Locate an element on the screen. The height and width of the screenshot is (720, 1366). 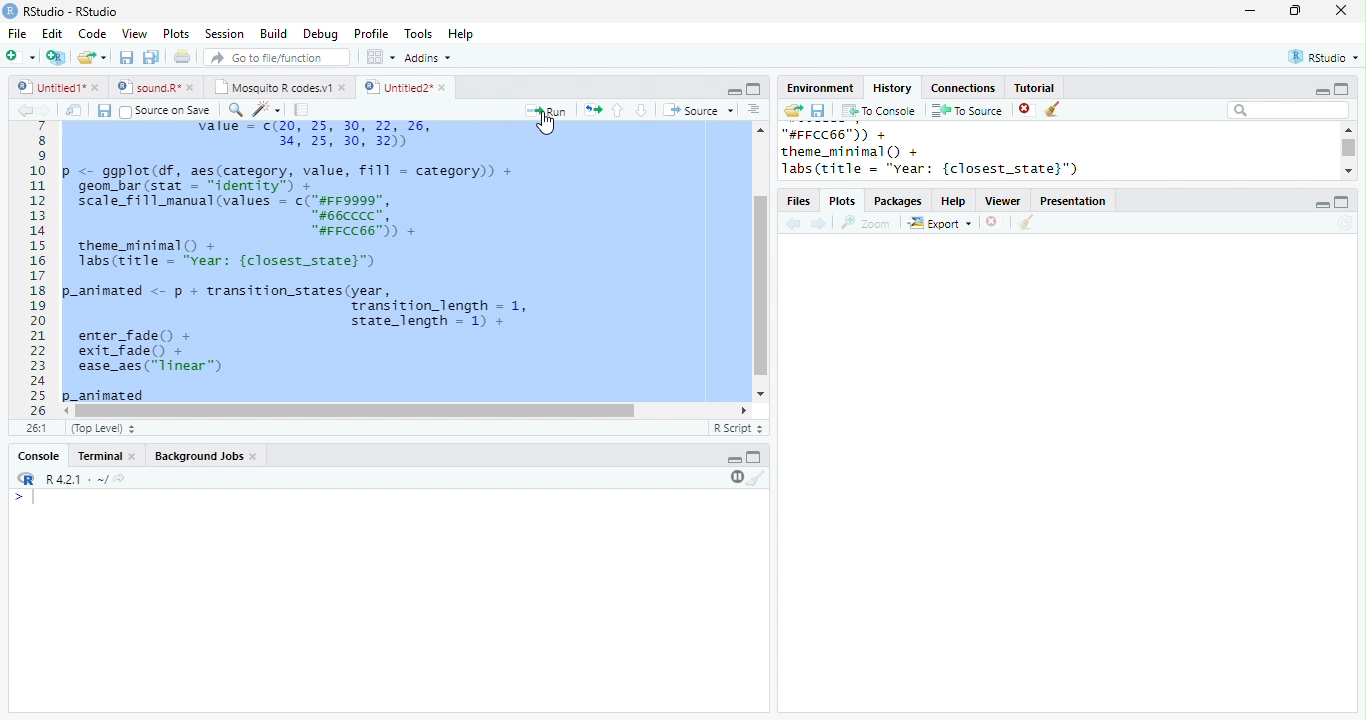
History is located at coordinates (892, 88).